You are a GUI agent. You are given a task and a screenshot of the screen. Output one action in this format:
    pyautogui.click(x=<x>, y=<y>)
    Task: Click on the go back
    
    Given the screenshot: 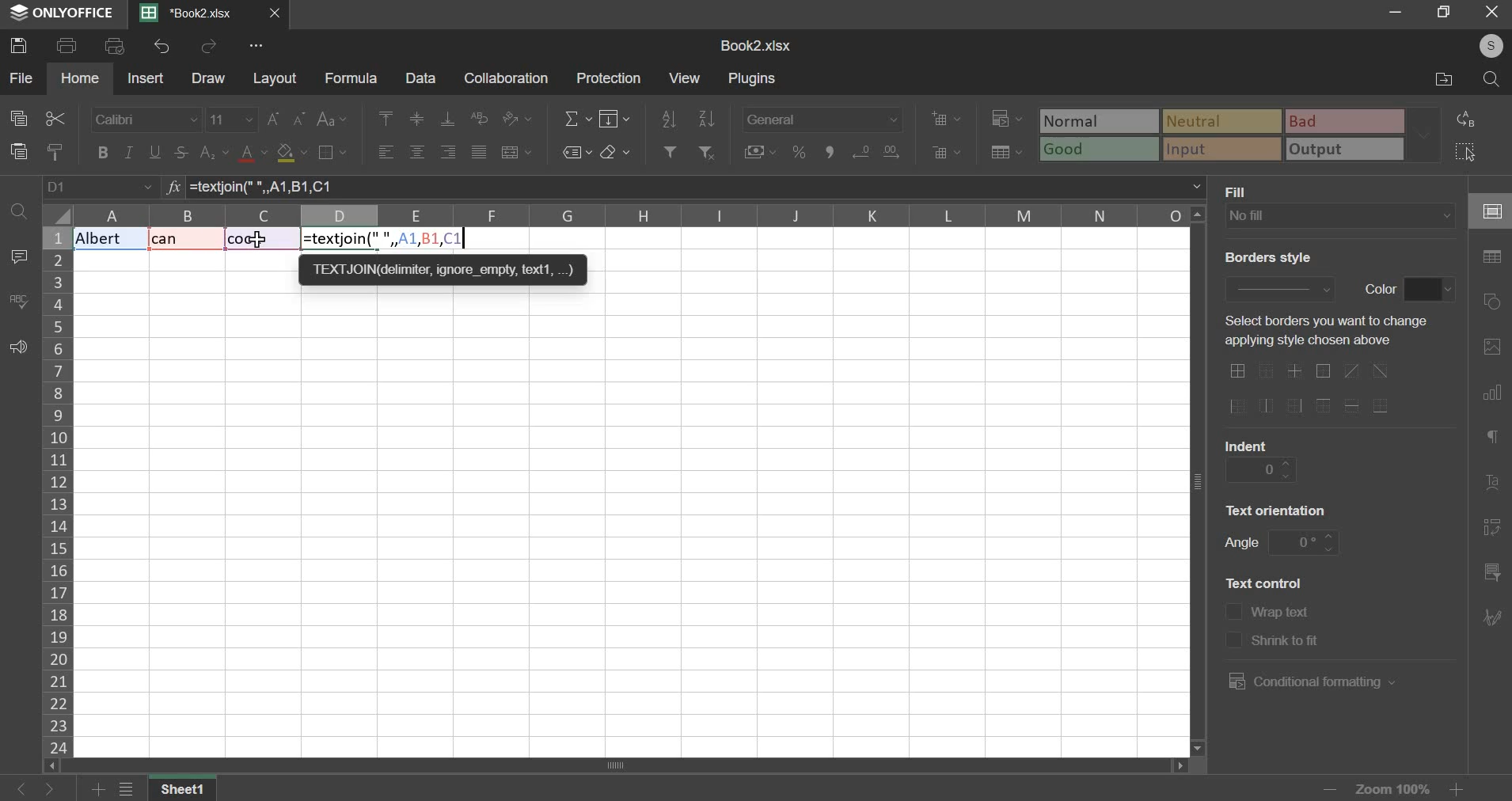 What is the action you would take?
    pyautogui.click(x=20, y=788)
    